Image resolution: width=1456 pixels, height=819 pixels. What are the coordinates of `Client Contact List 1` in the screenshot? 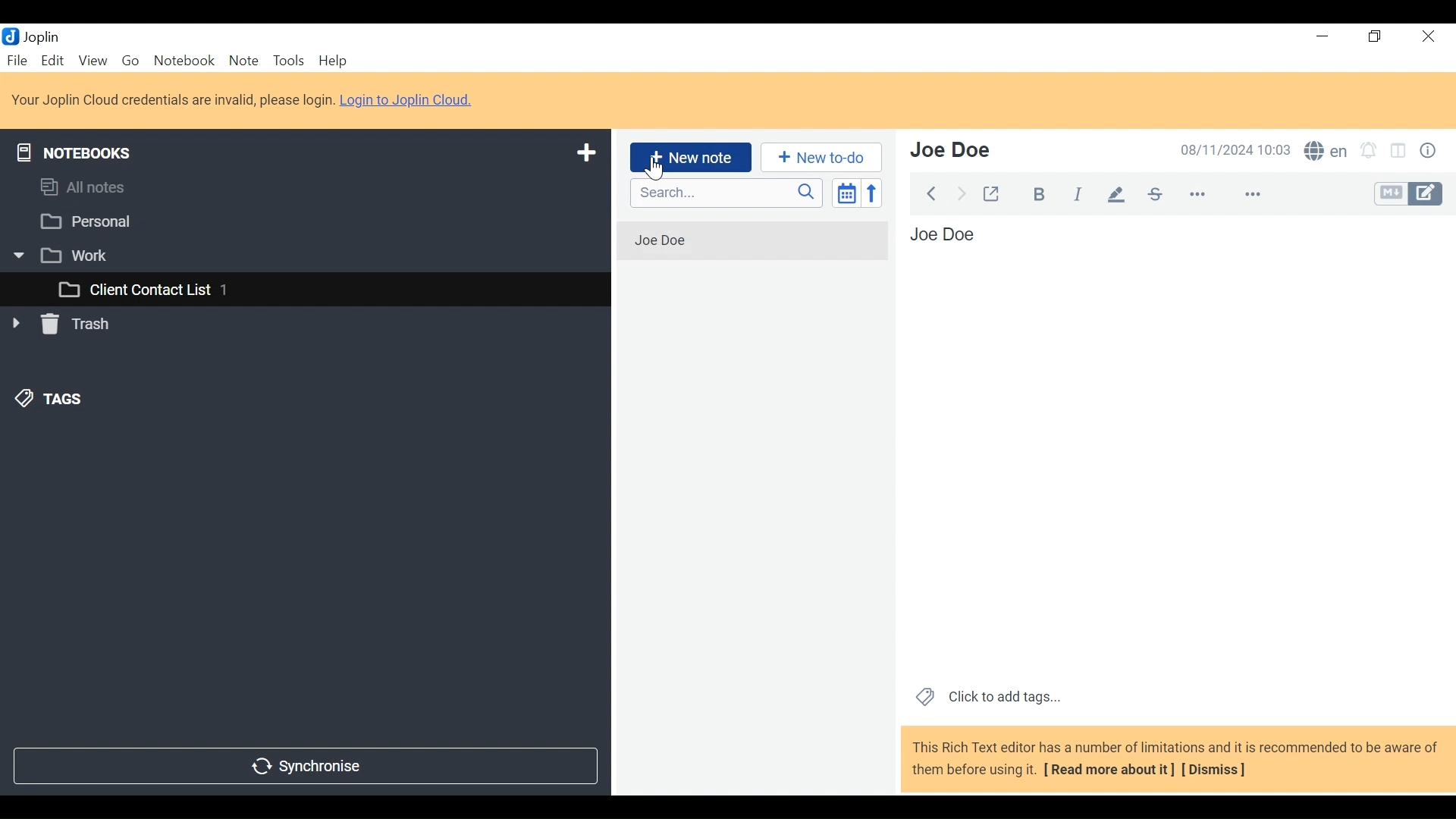 It's located at (304, 290).